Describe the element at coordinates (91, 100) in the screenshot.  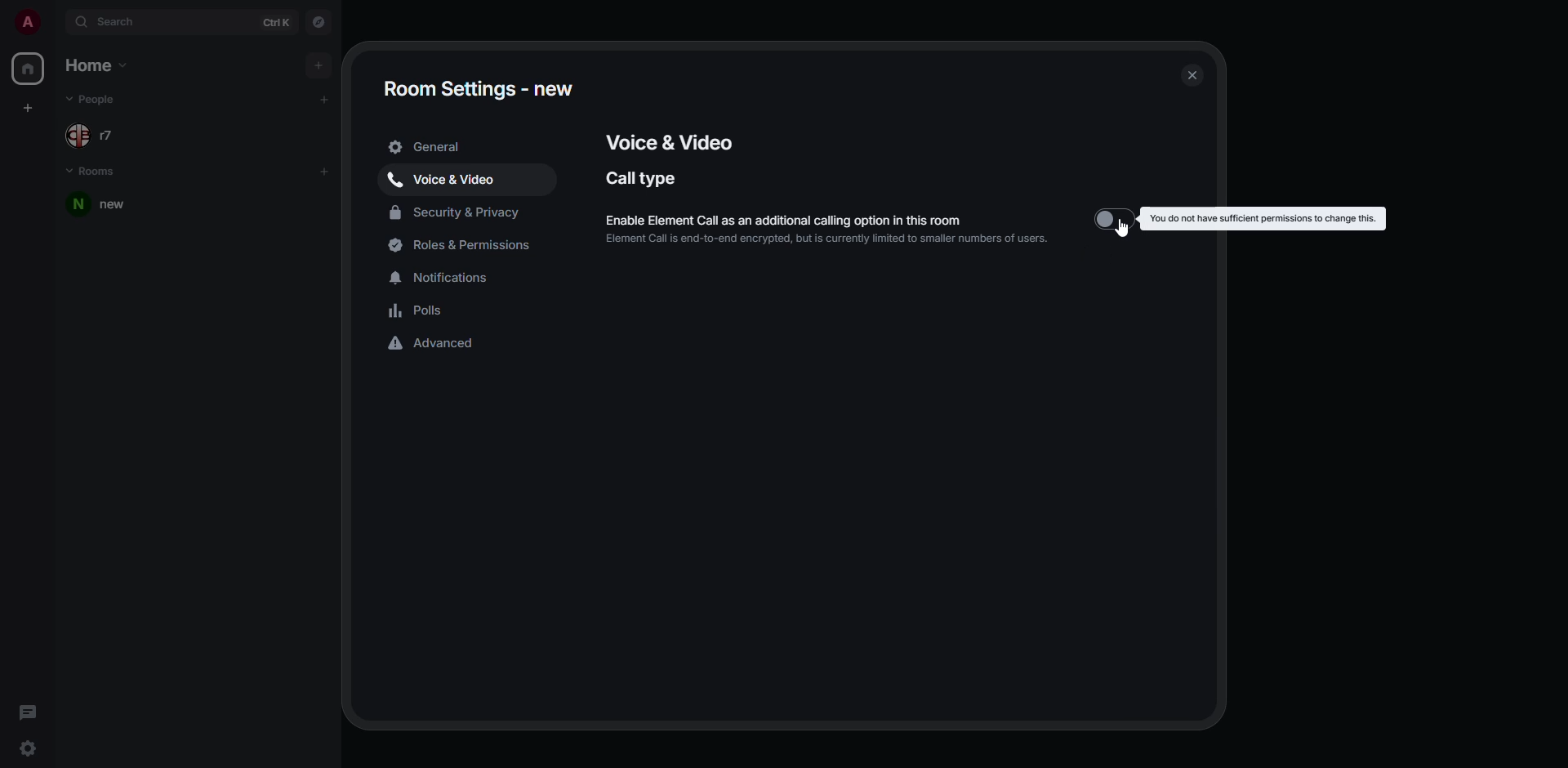
I see `people` at that location.